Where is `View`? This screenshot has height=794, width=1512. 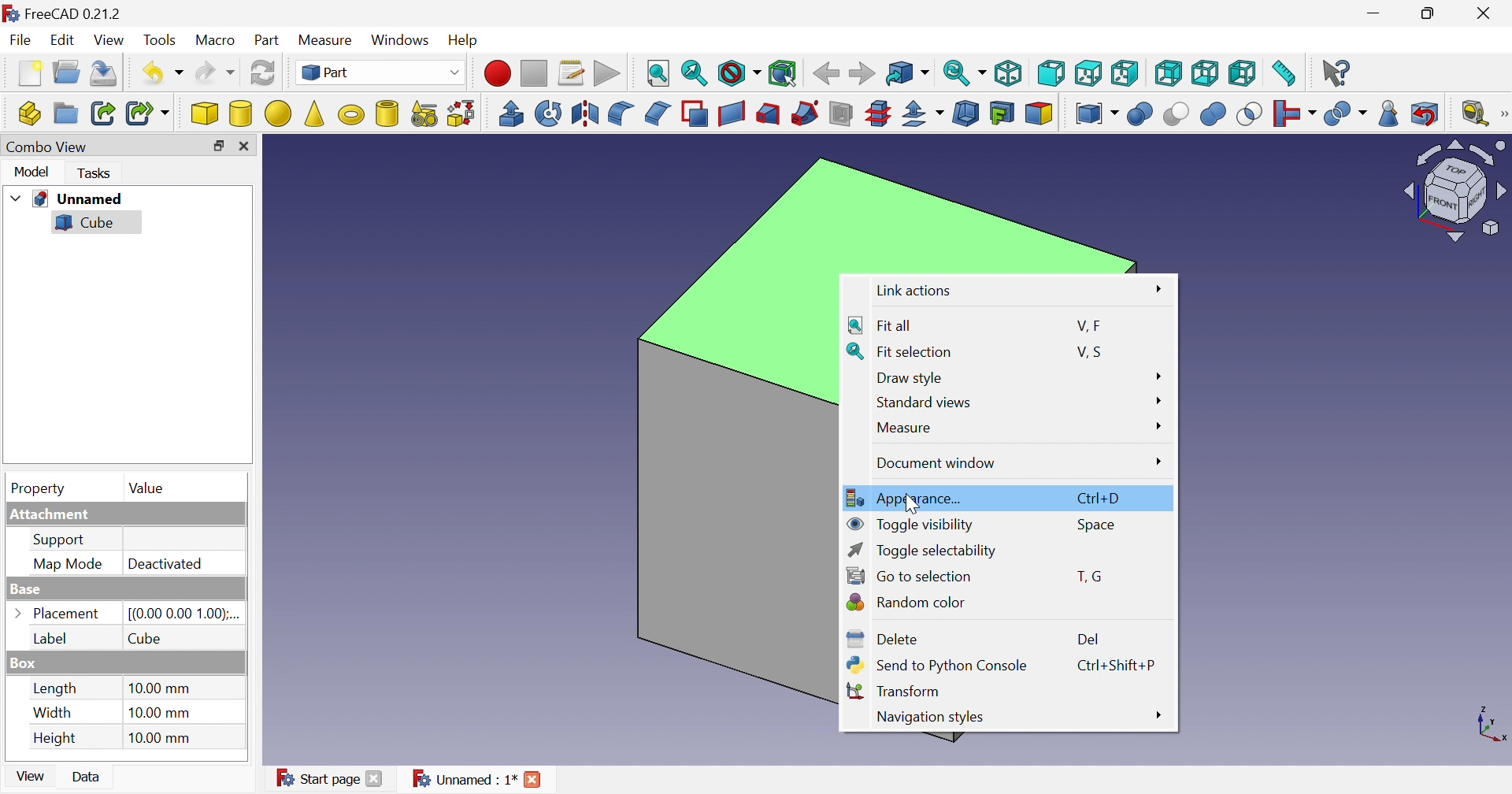
View is located at coordinates (31, 776).